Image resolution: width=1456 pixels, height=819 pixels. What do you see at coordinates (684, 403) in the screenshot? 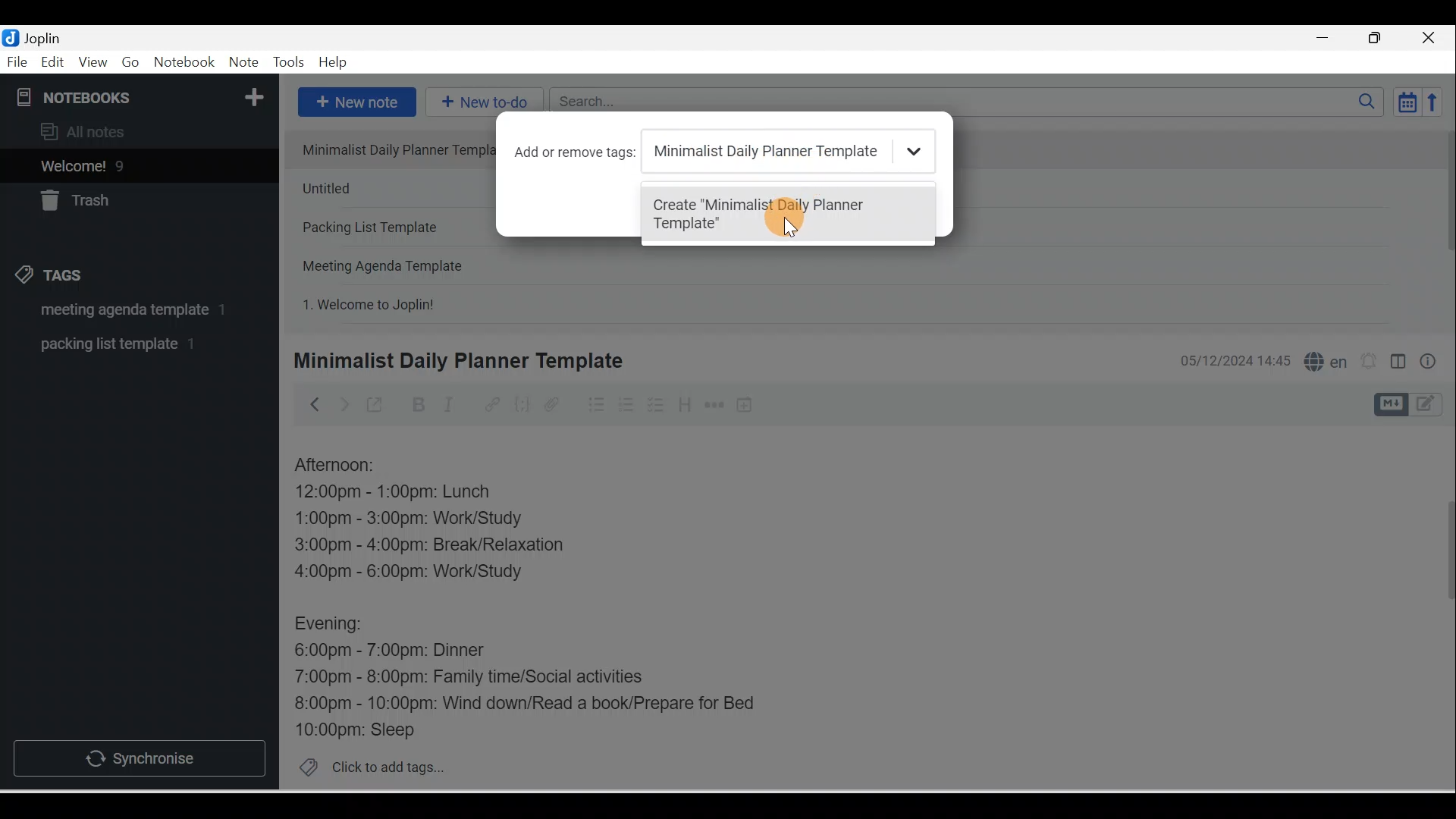
I see `Heading` at bounding box center [684, 403].